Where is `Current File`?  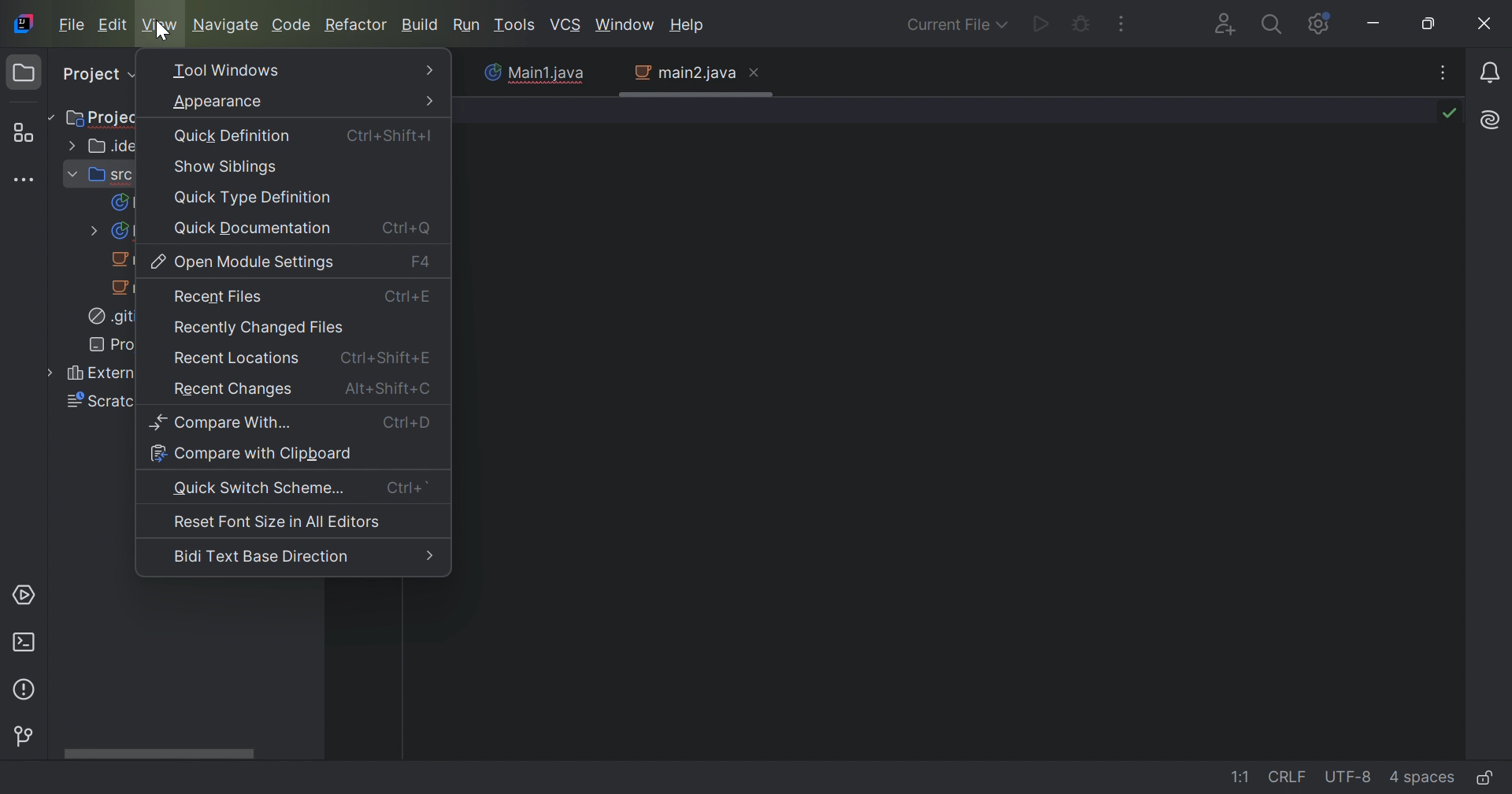
Current File is located at coordinates (957, 26).